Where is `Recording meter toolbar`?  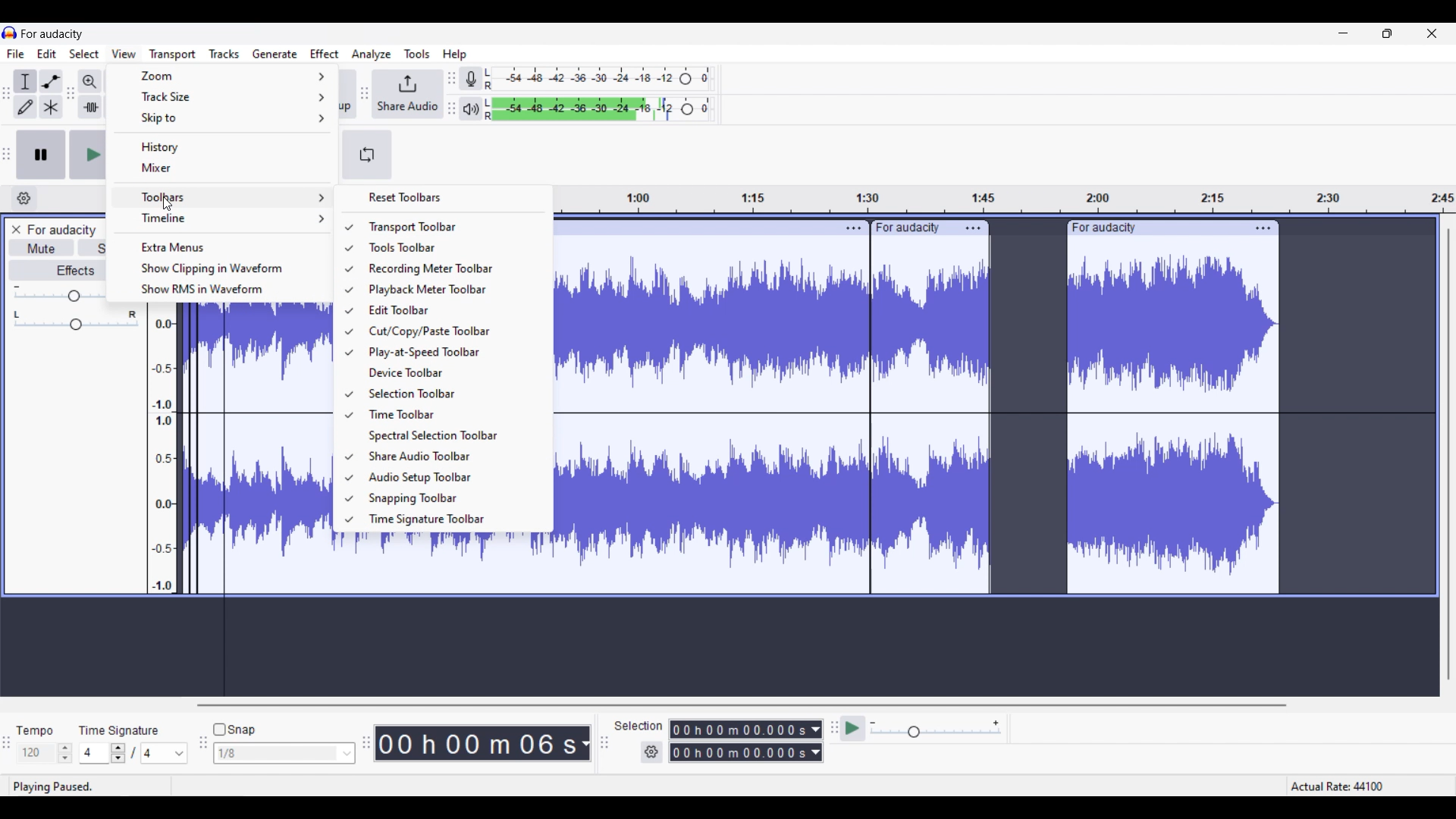 Recording meter toolbar is located at coordinates (450, 268).